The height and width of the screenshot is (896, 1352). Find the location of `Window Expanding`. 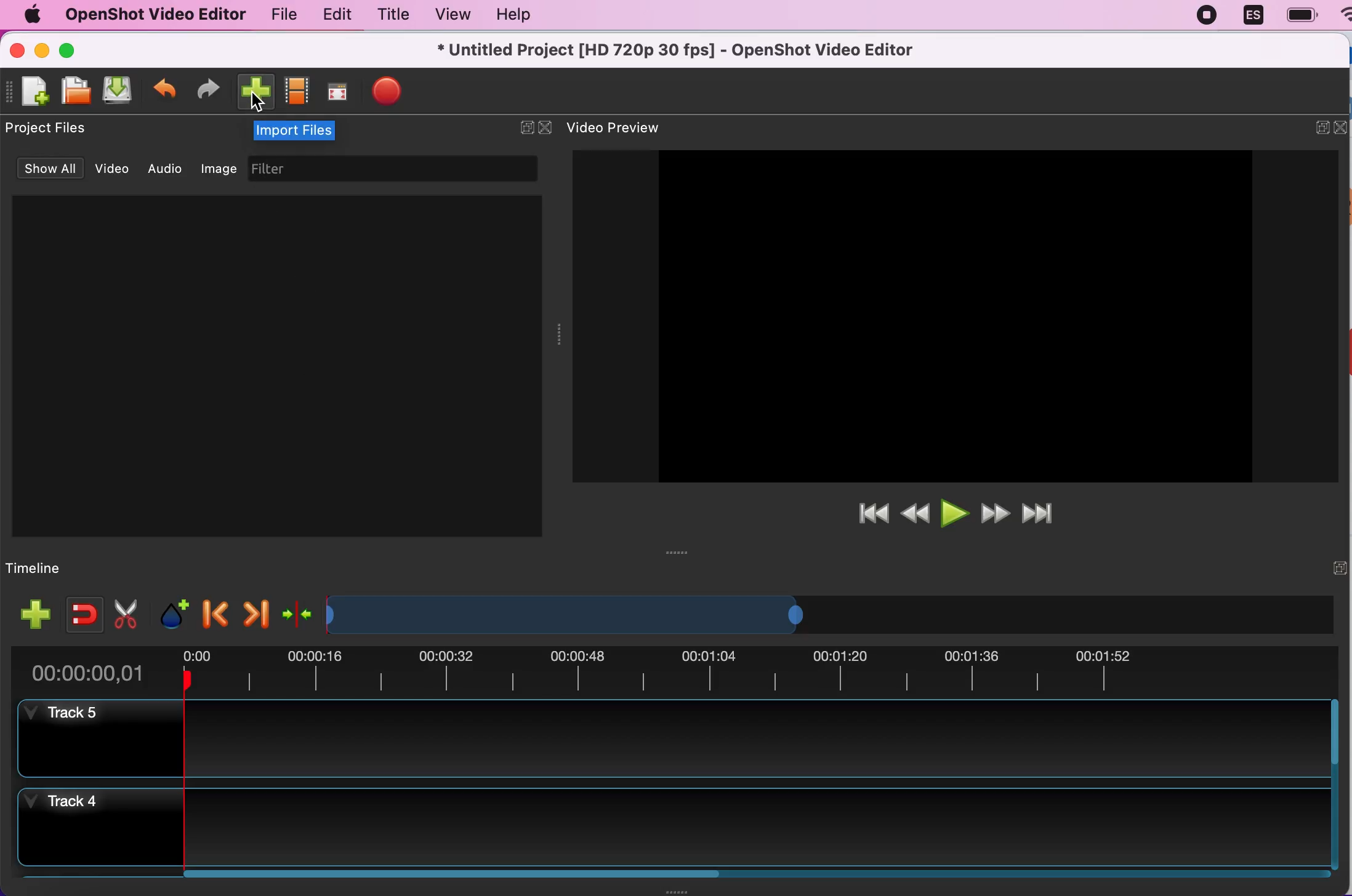

Window Expanding is located at coordinates (558, 334).